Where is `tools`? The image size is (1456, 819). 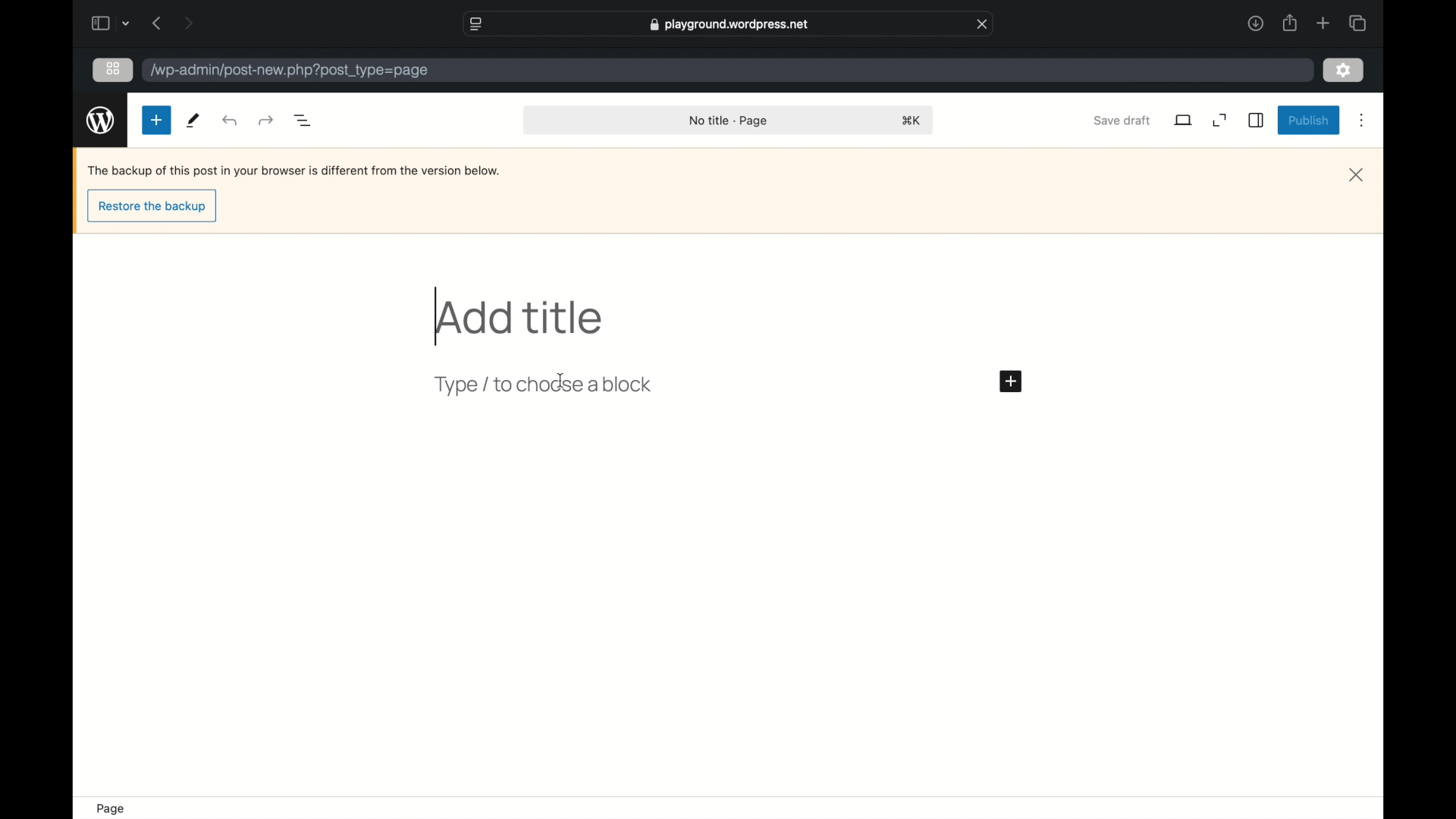 tools is located at coordinates (192, 121).